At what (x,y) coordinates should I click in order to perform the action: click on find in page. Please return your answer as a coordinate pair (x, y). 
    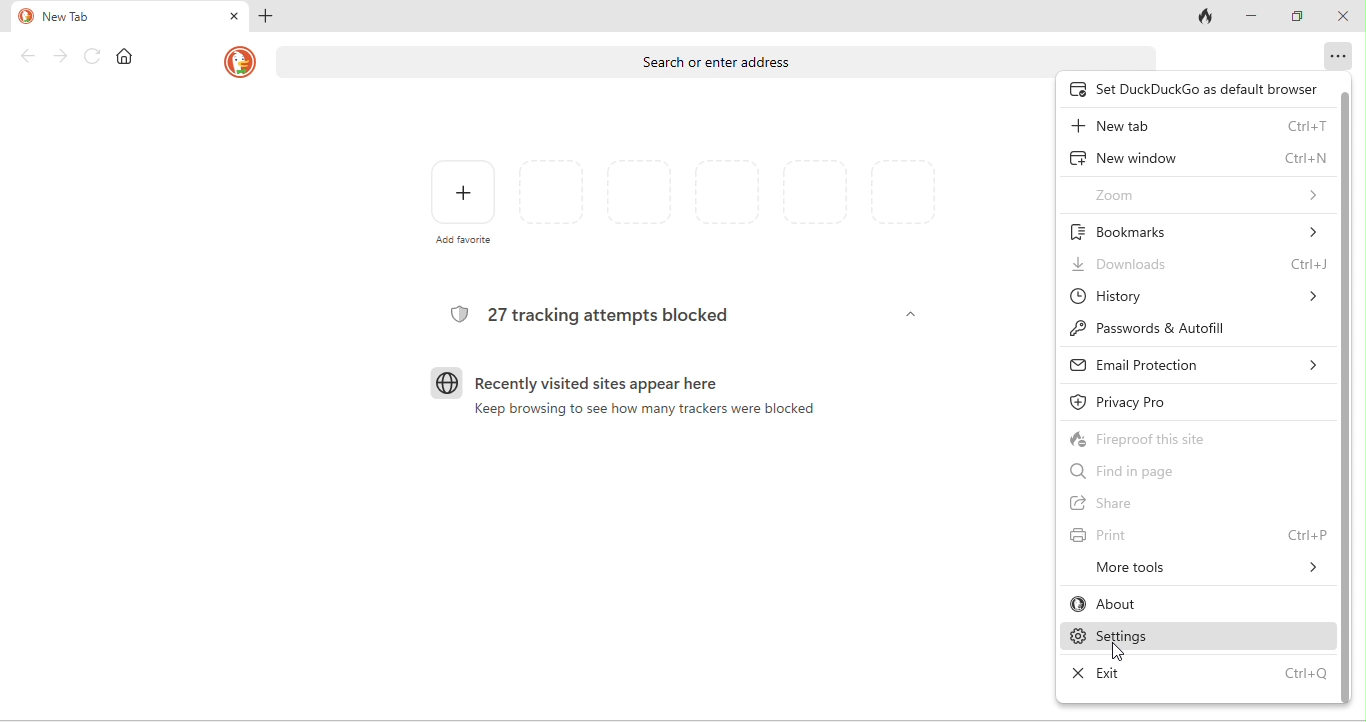
    Looking at the image, I should click on (1155, 475).